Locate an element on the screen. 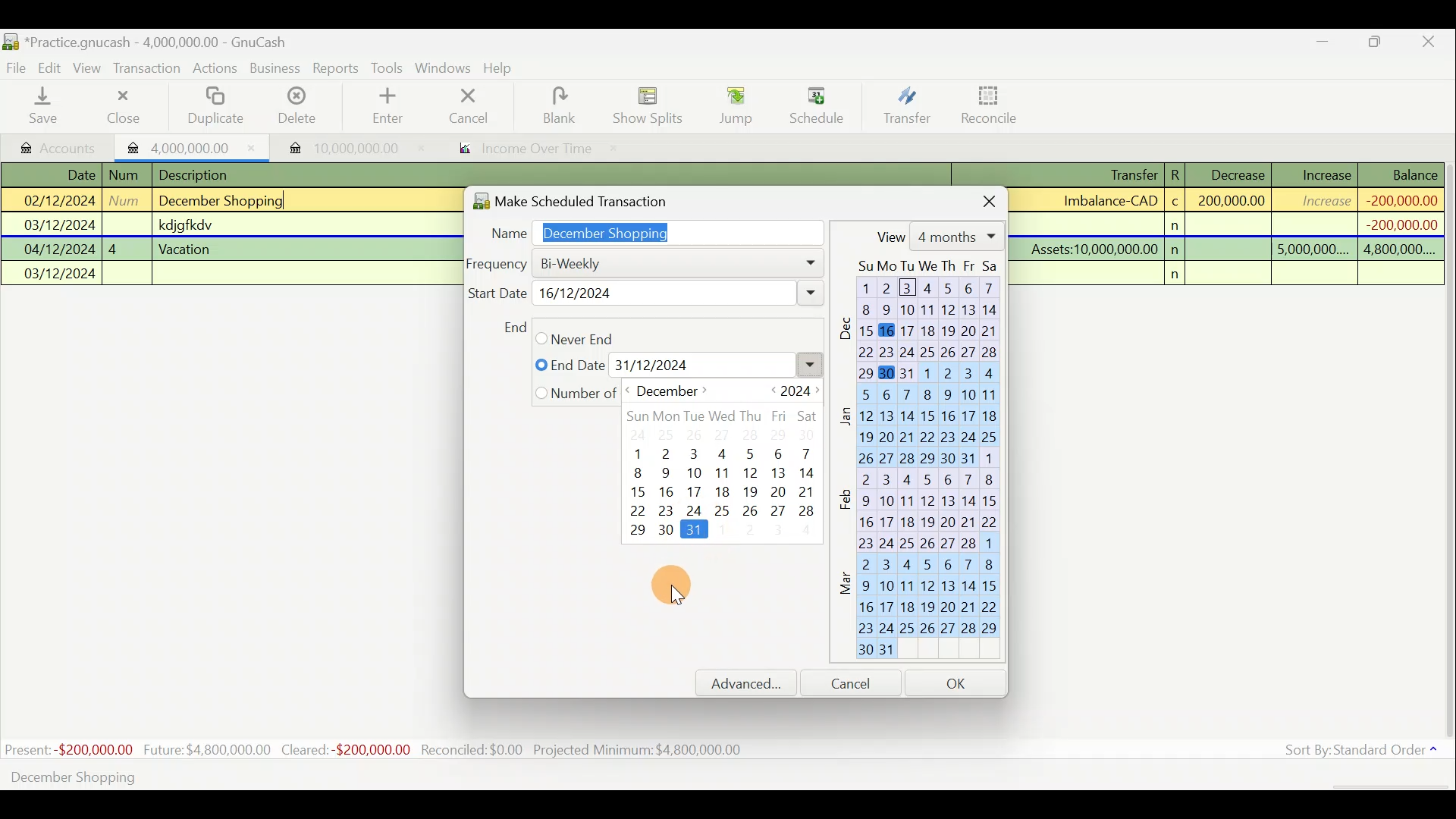 The image size is (1456, 819). Duplicate is located at coordinates (212, 107).